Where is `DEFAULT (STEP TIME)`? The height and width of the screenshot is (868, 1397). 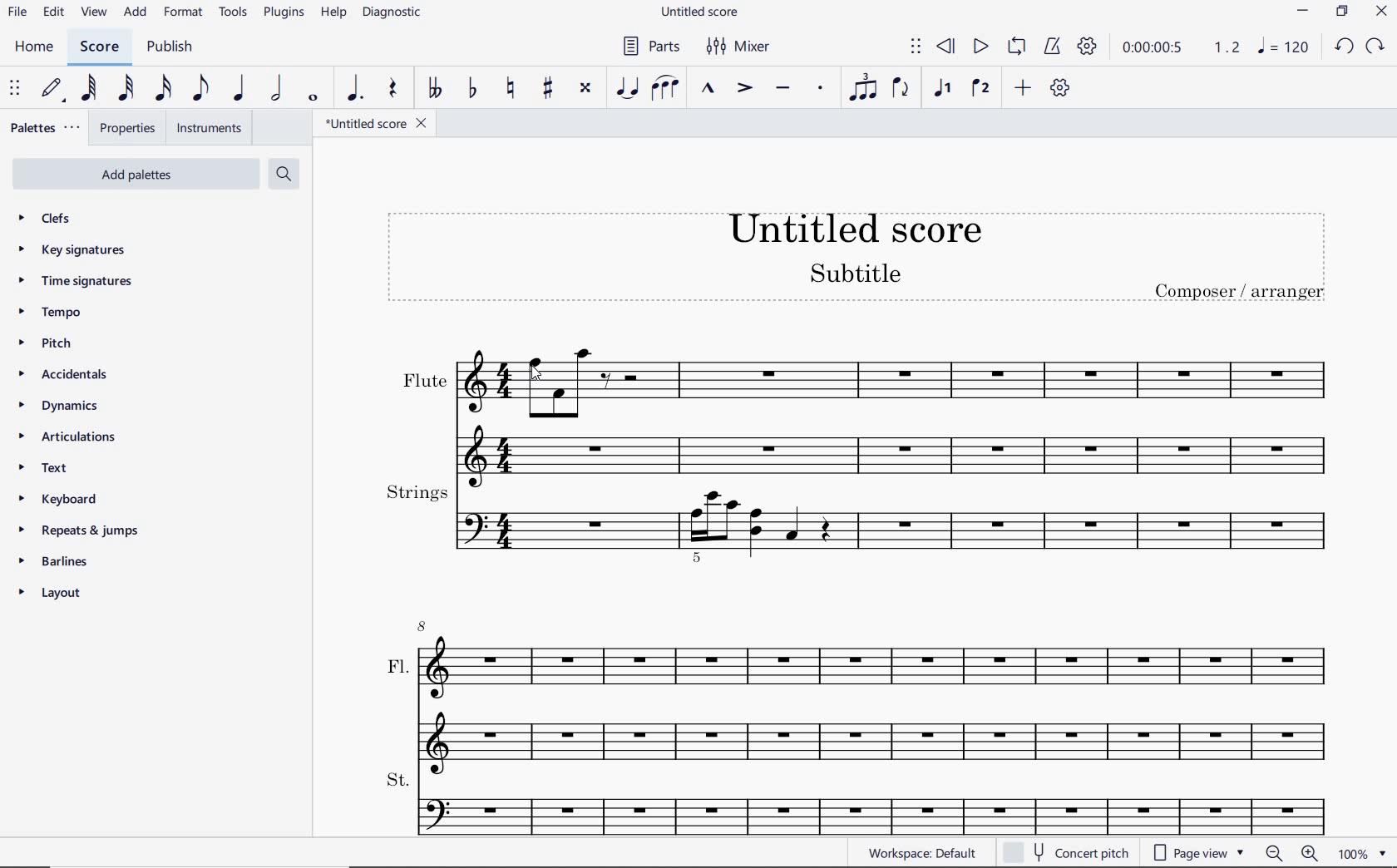
DEFAULT (STEP TIME) is located at coordinates (50, 89).